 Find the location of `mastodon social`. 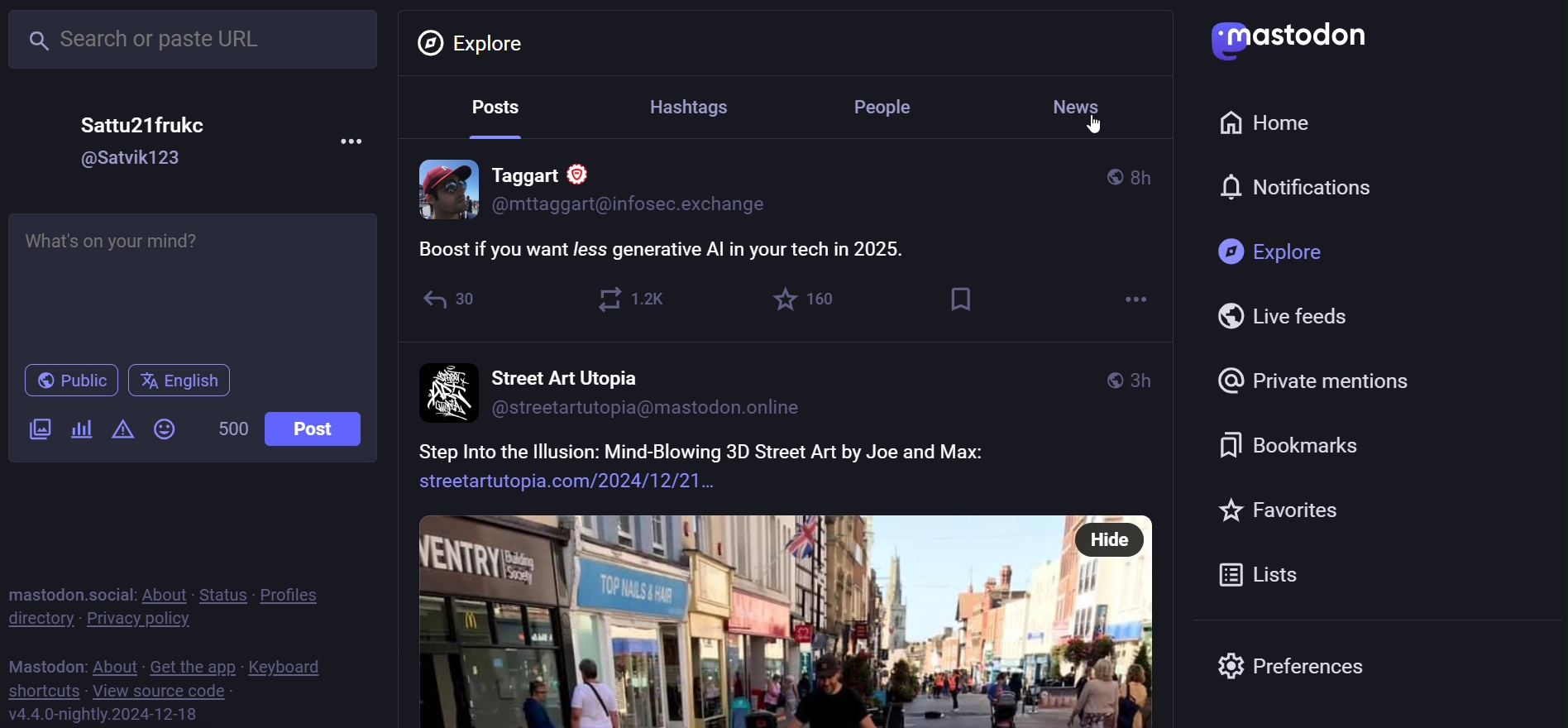

mastodon social is located at coordinates (64, 592).